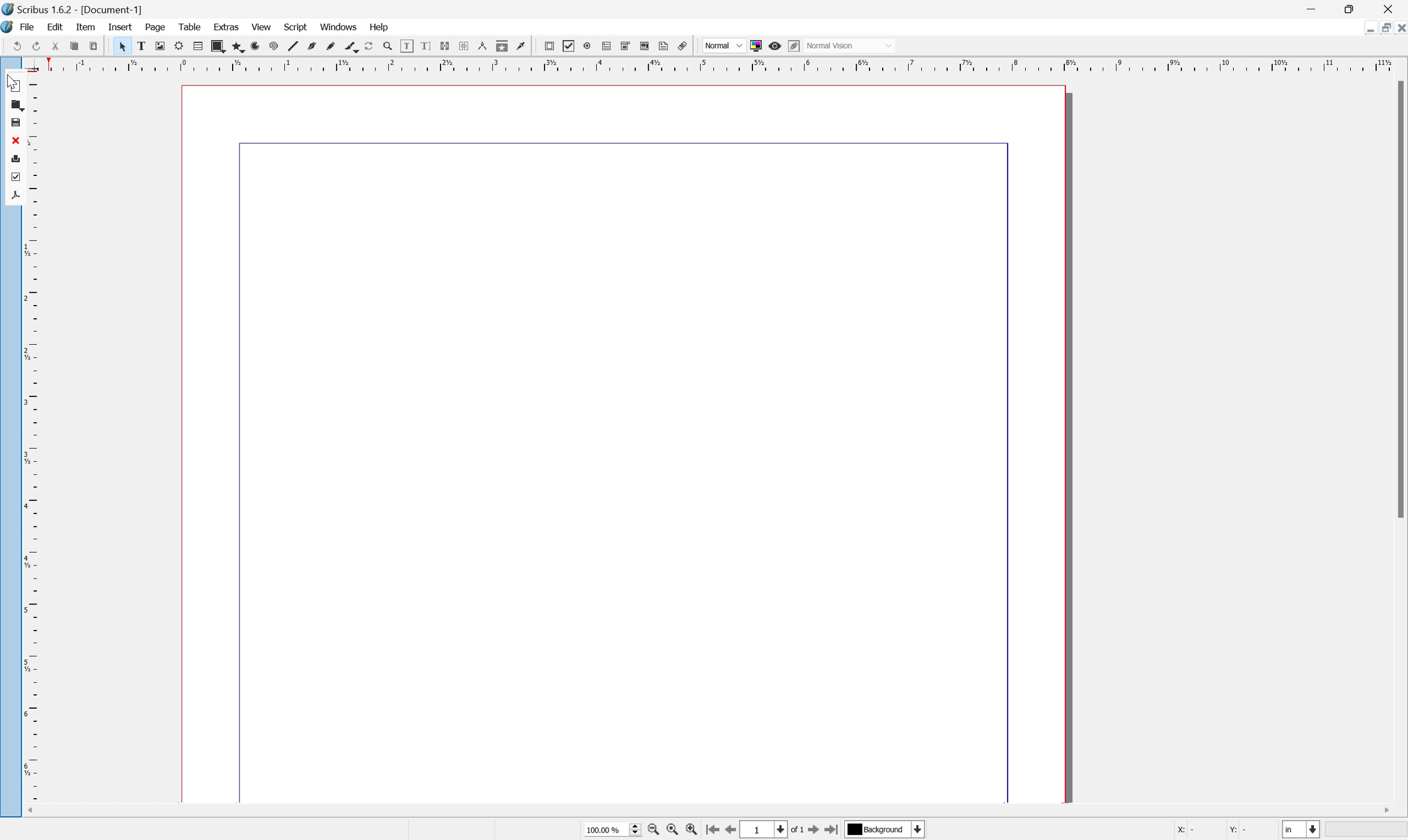  What do you see at coordinates (523, 46) in the screenshot?
I see `Zoom in or zoom out` at bounding box center [523, 46].